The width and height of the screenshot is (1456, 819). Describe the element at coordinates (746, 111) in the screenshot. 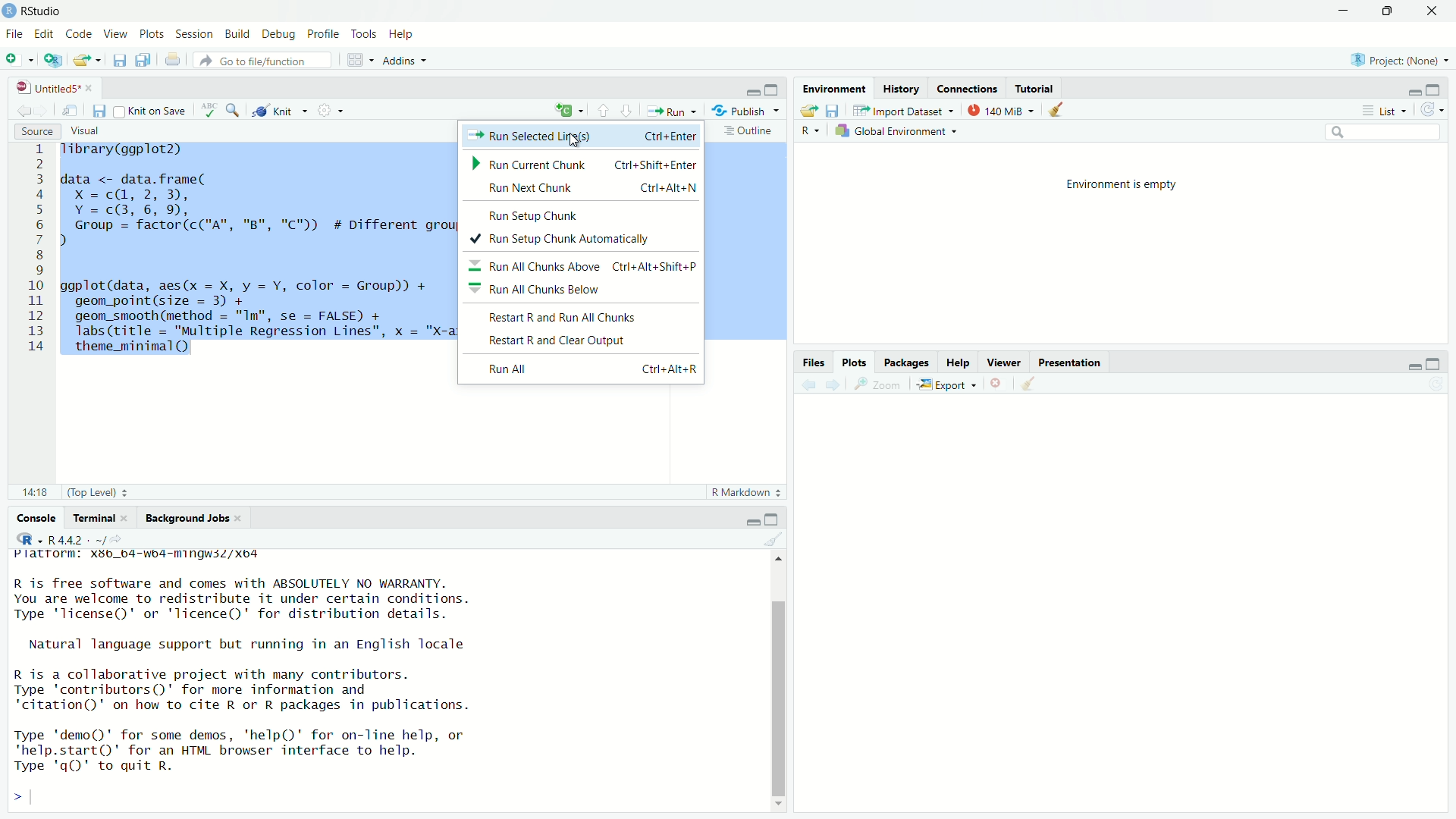

I see `Publish ~` at that location.